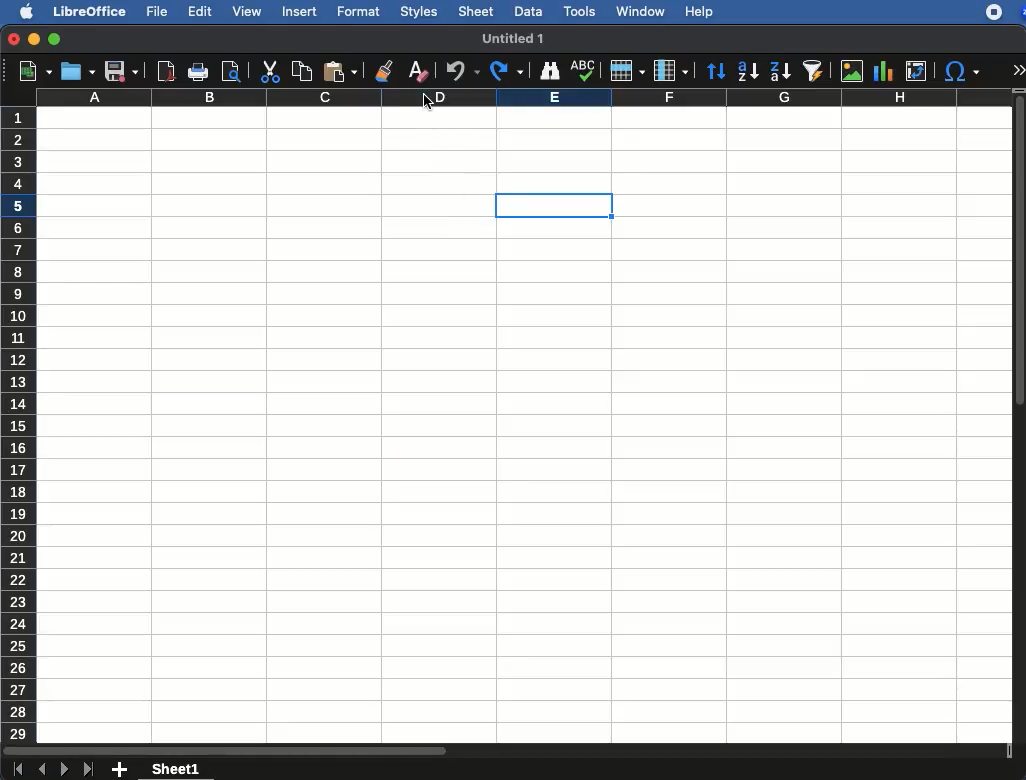  I want to click on next sheet, so click(63, 771).